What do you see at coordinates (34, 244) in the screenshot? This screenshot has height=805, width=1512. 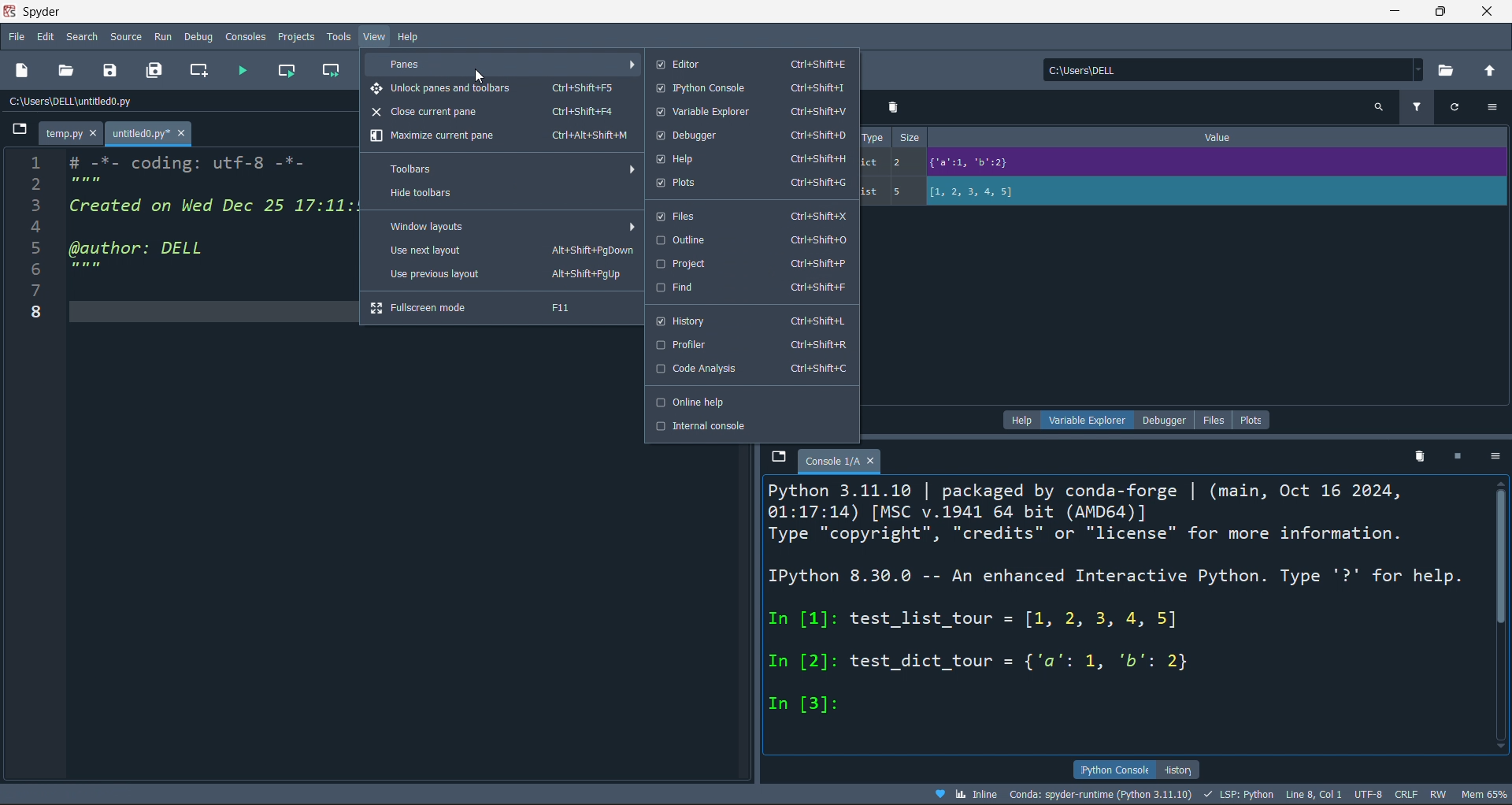 I see `Line numbers` at bounding box center [34, 244].